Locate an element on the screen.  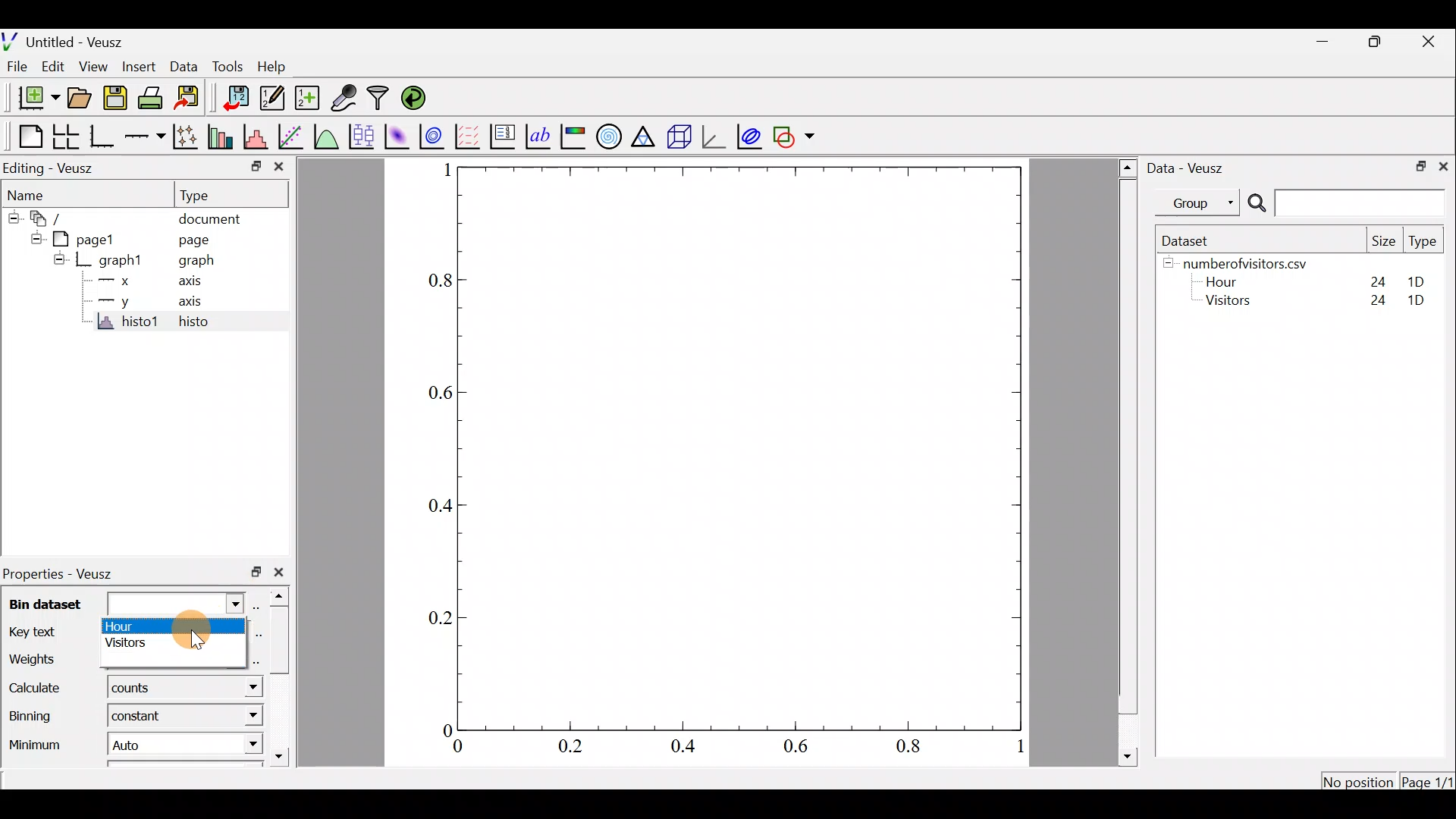
page1 is located at coordinates (90, 240).